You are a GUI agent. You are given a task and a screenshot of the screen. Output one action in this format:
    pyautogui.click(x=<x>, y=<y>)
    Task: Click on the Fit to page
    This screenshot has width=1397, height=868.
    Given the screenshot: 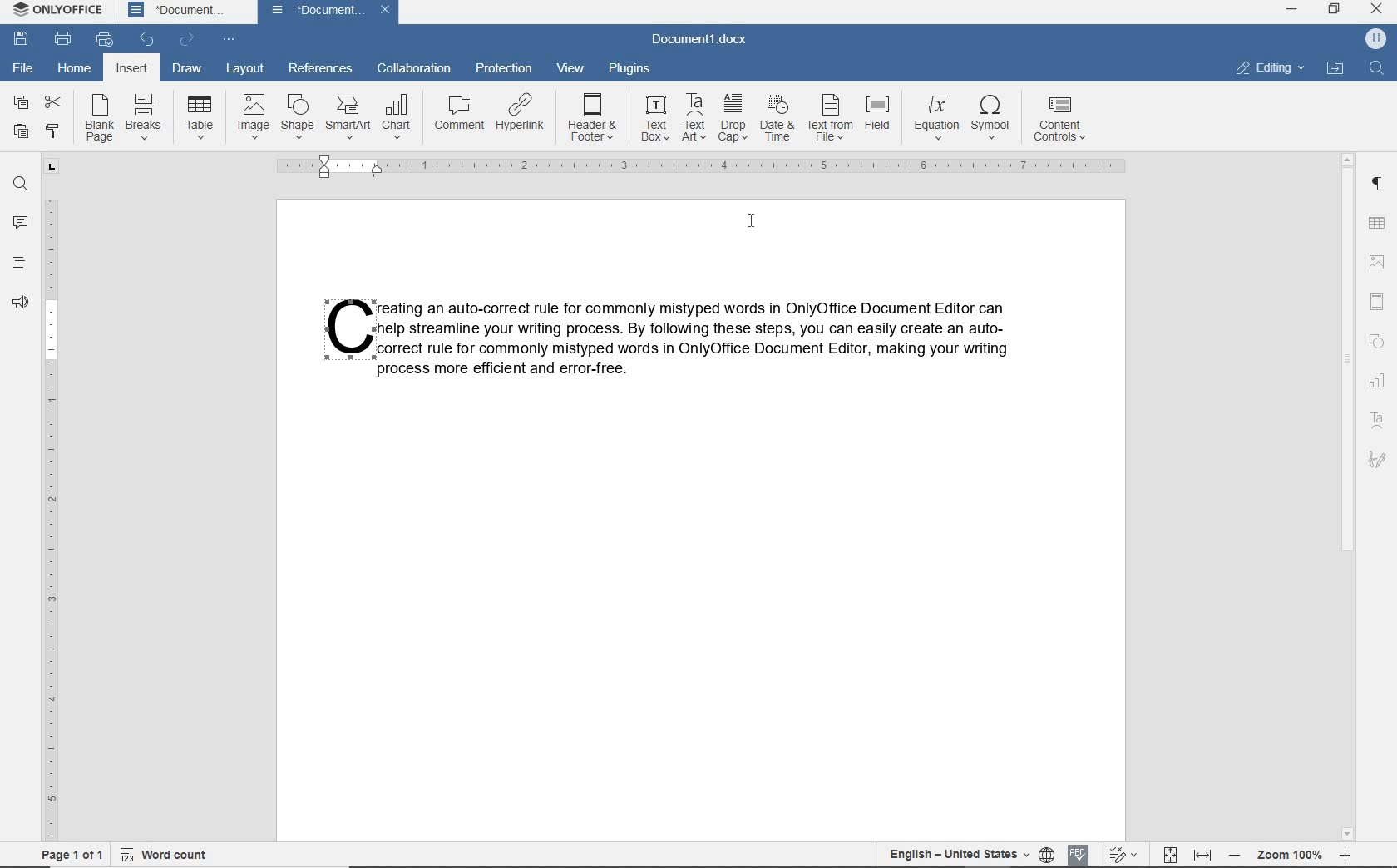 What is the action you would take?
    pyautogui.click(x=1171, y=851)
    